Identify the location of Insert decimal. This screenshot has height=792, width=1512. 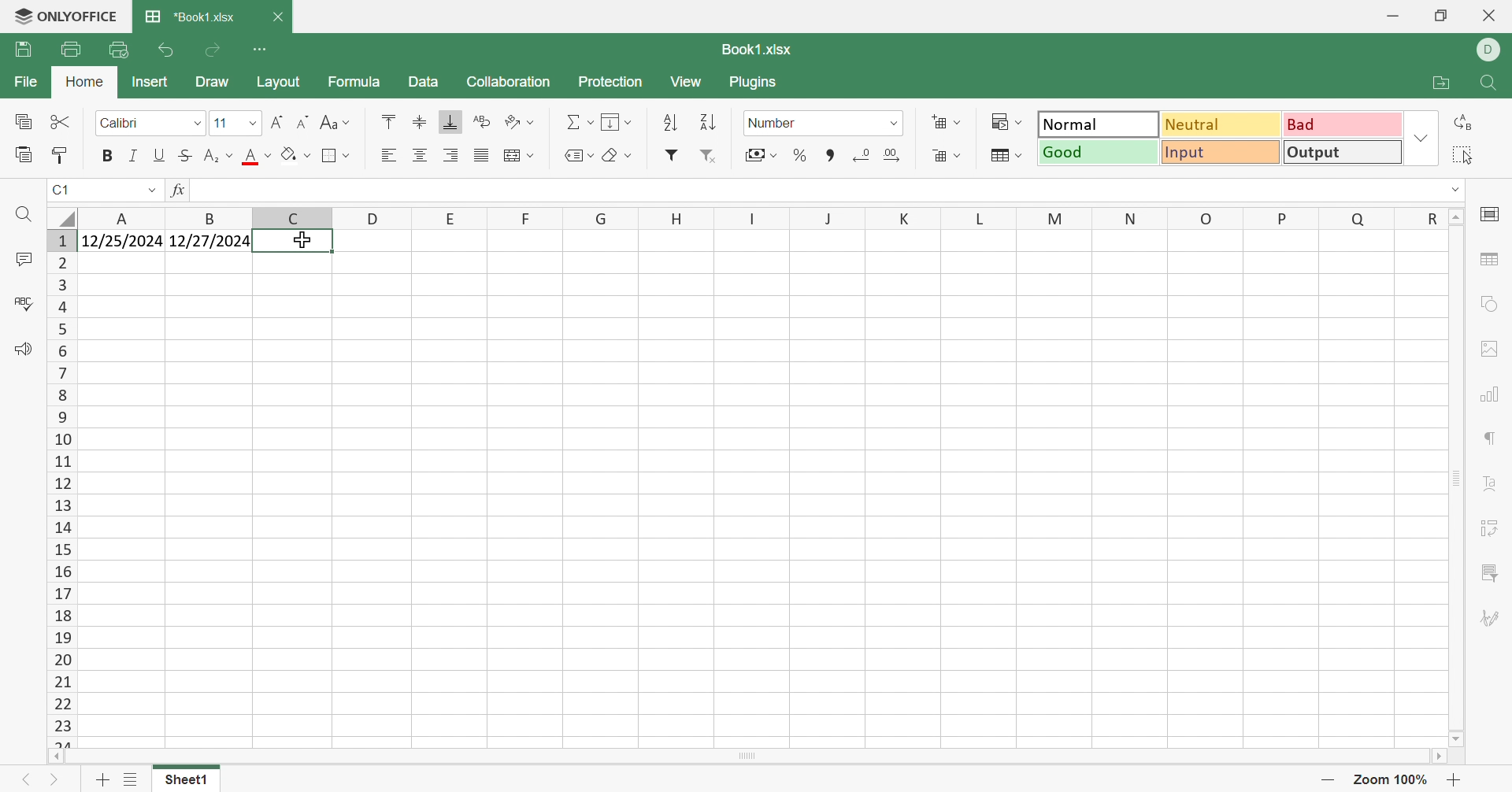
(895, 154).